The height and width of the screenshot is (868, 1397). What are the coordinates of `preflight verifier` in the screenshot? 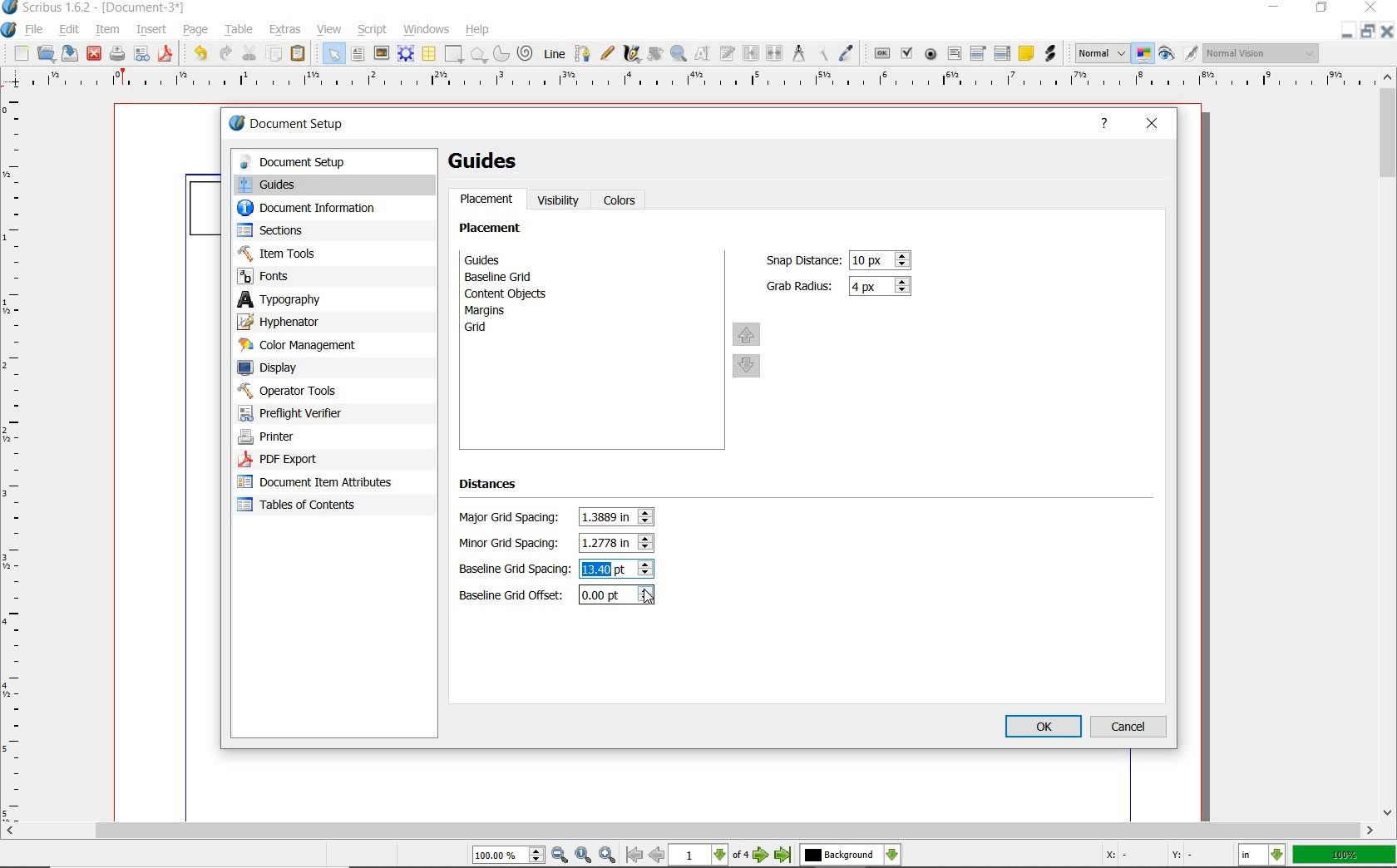 It's located at (142, 55).